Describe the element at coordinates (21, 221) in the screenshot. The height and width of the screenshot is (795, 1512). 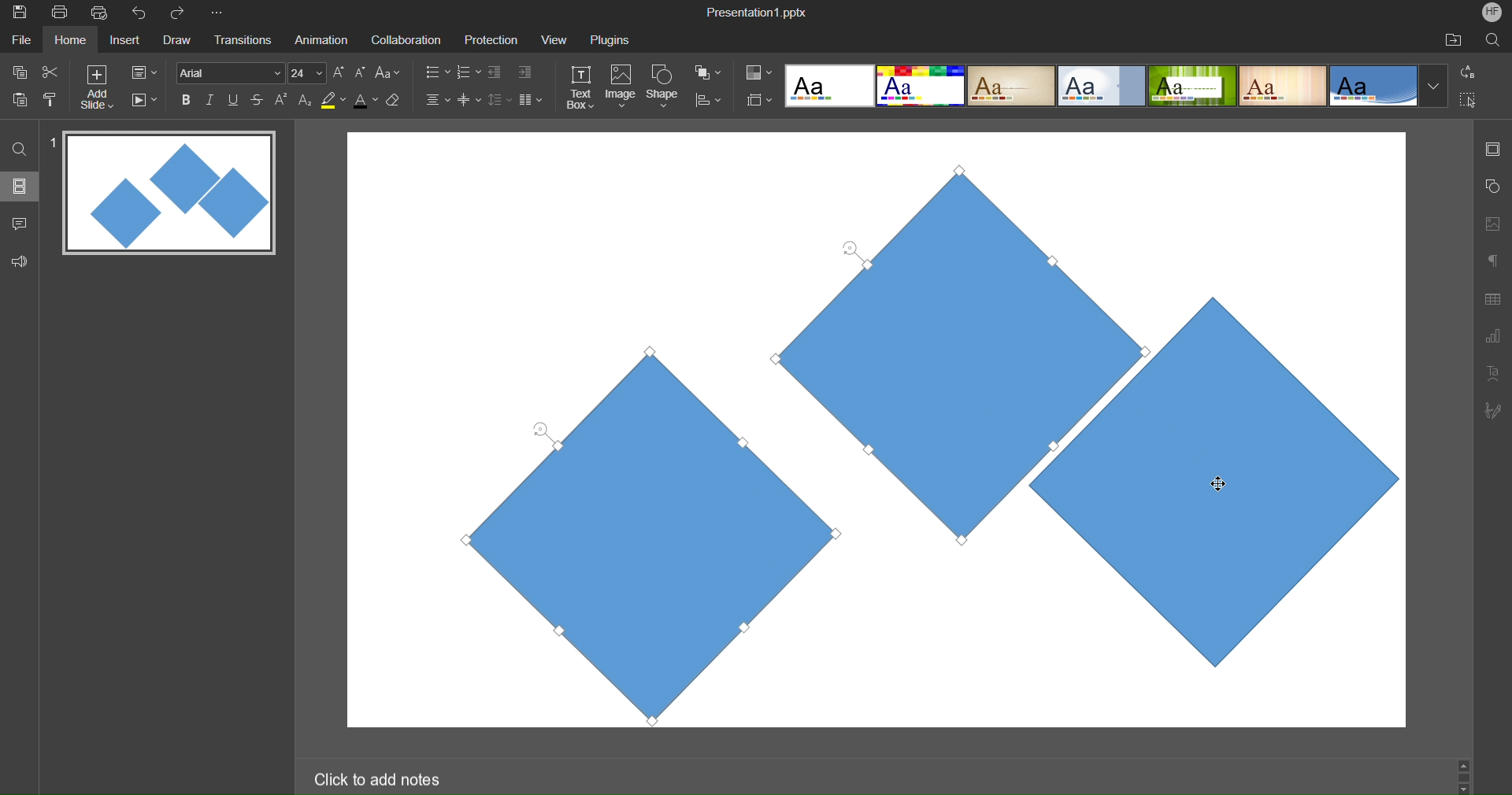
I see `chat` at that location.